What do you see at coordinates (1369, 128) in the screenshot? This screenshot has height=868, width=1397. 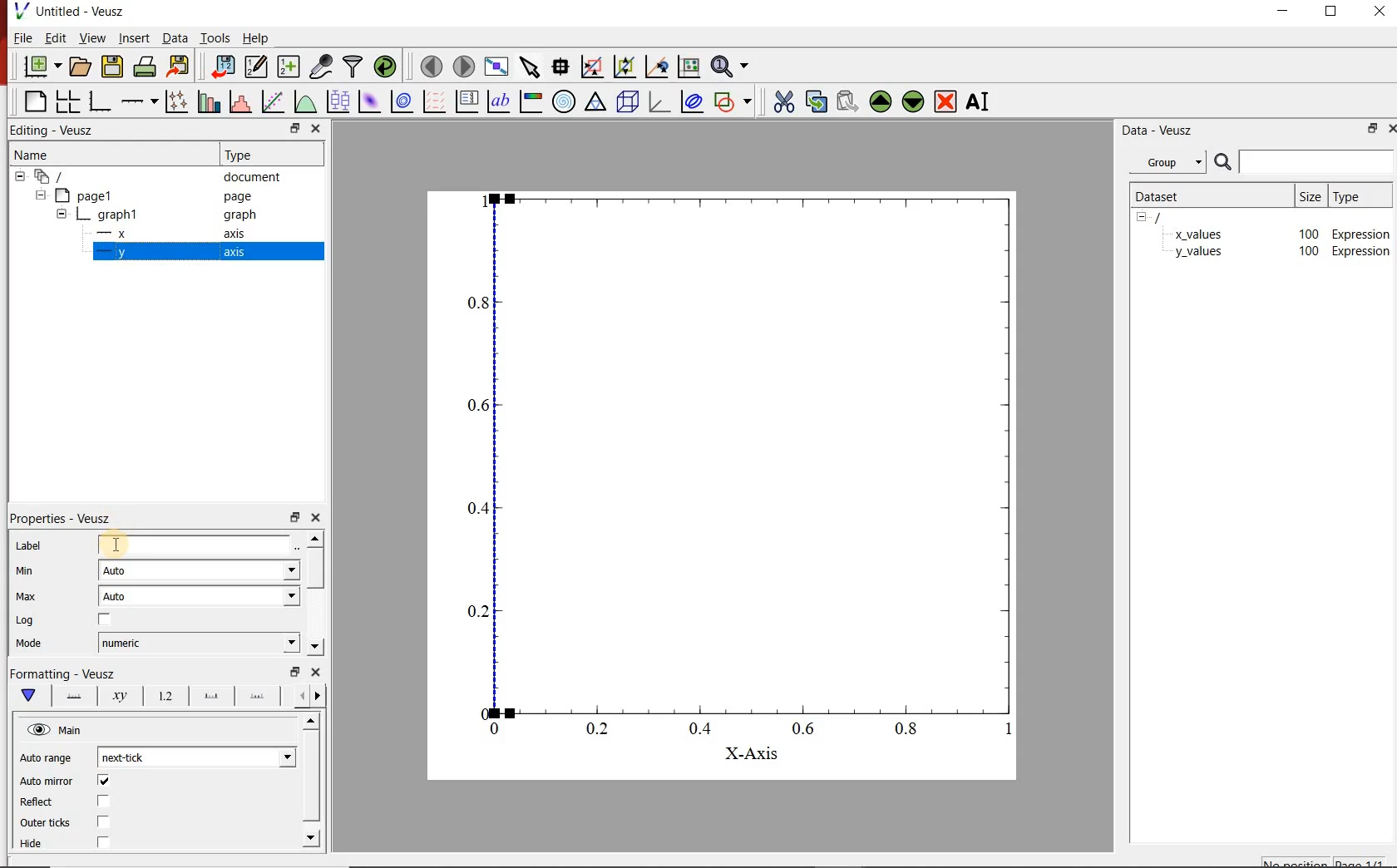 I see `restore down` at bounding box center [1369, 128].